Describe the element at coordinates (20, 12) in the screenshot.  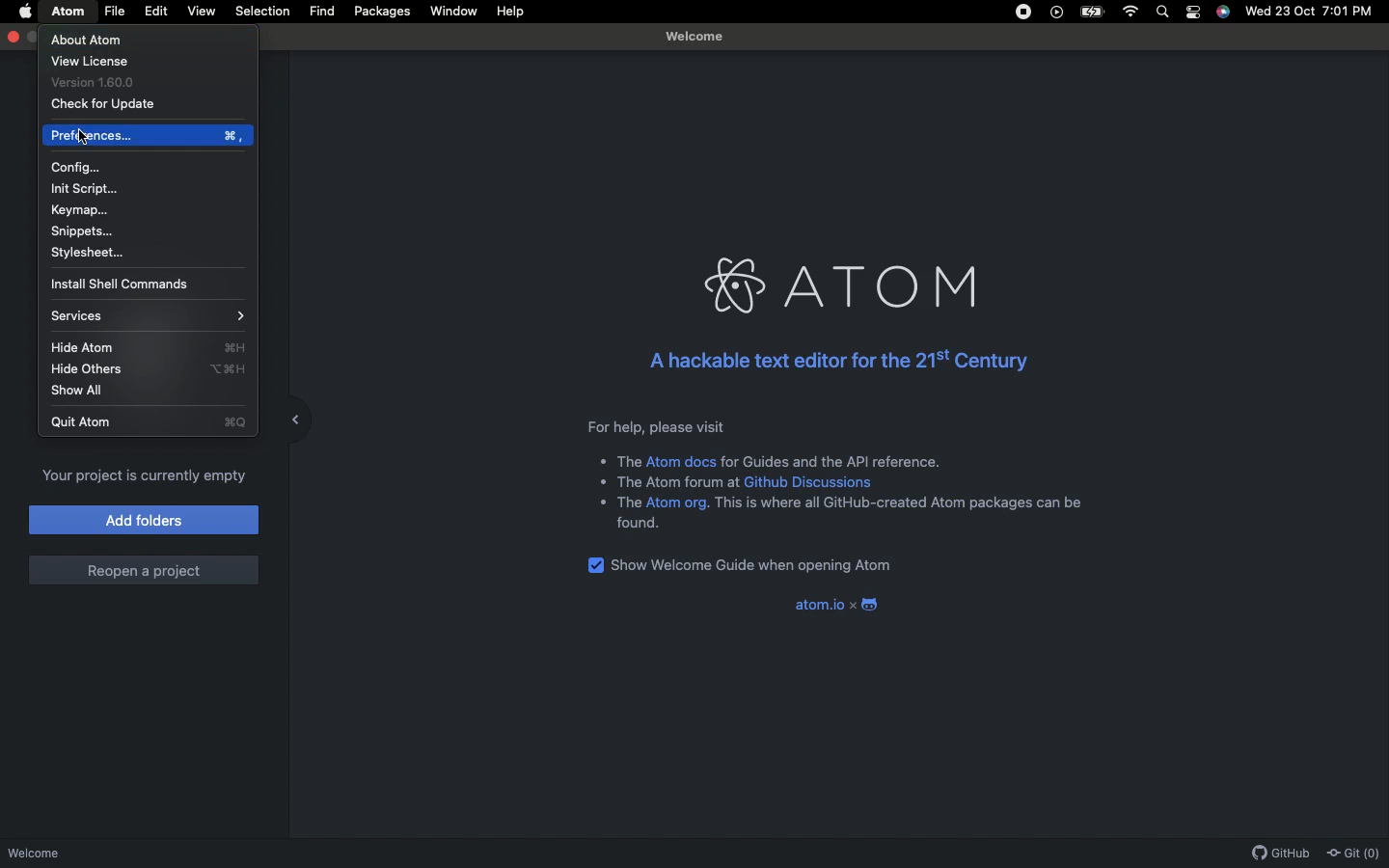
I see `Apple logo` at that location.